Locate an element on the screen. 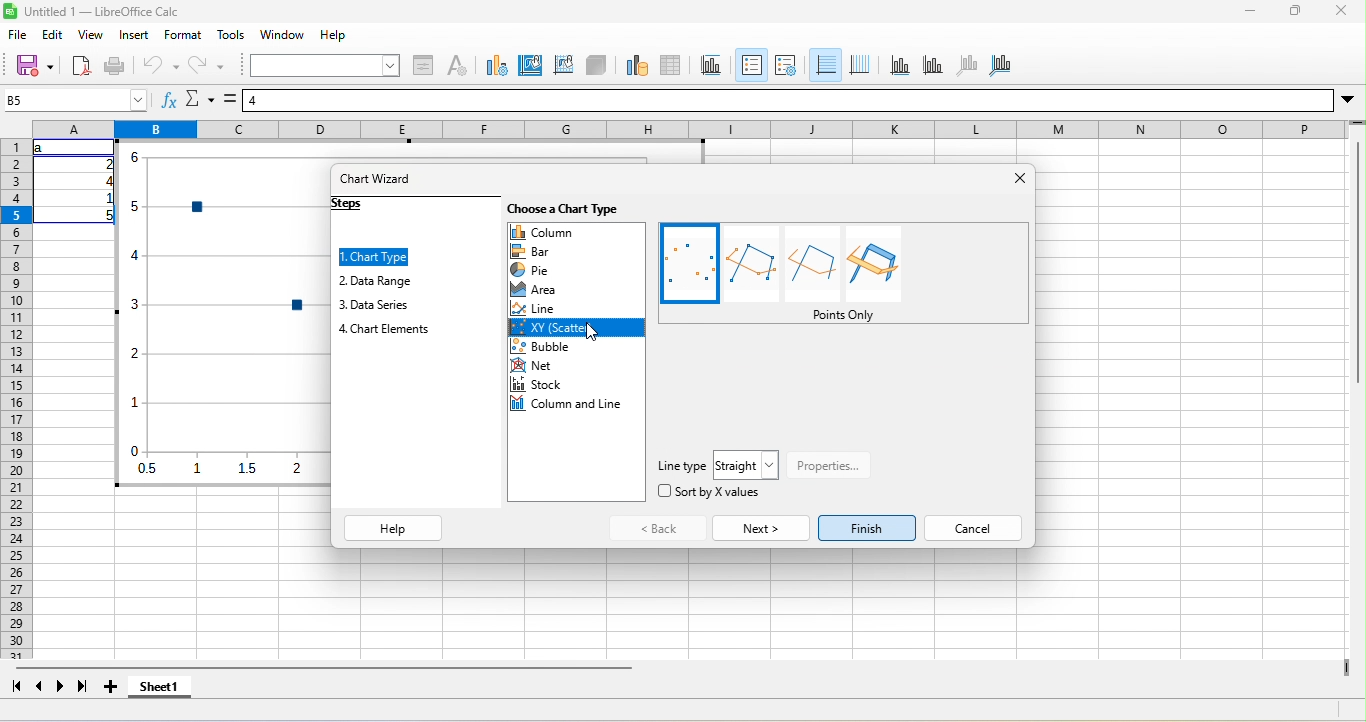 This screenshot has height=722, width=1366. column is located at coordinates (577, 232).